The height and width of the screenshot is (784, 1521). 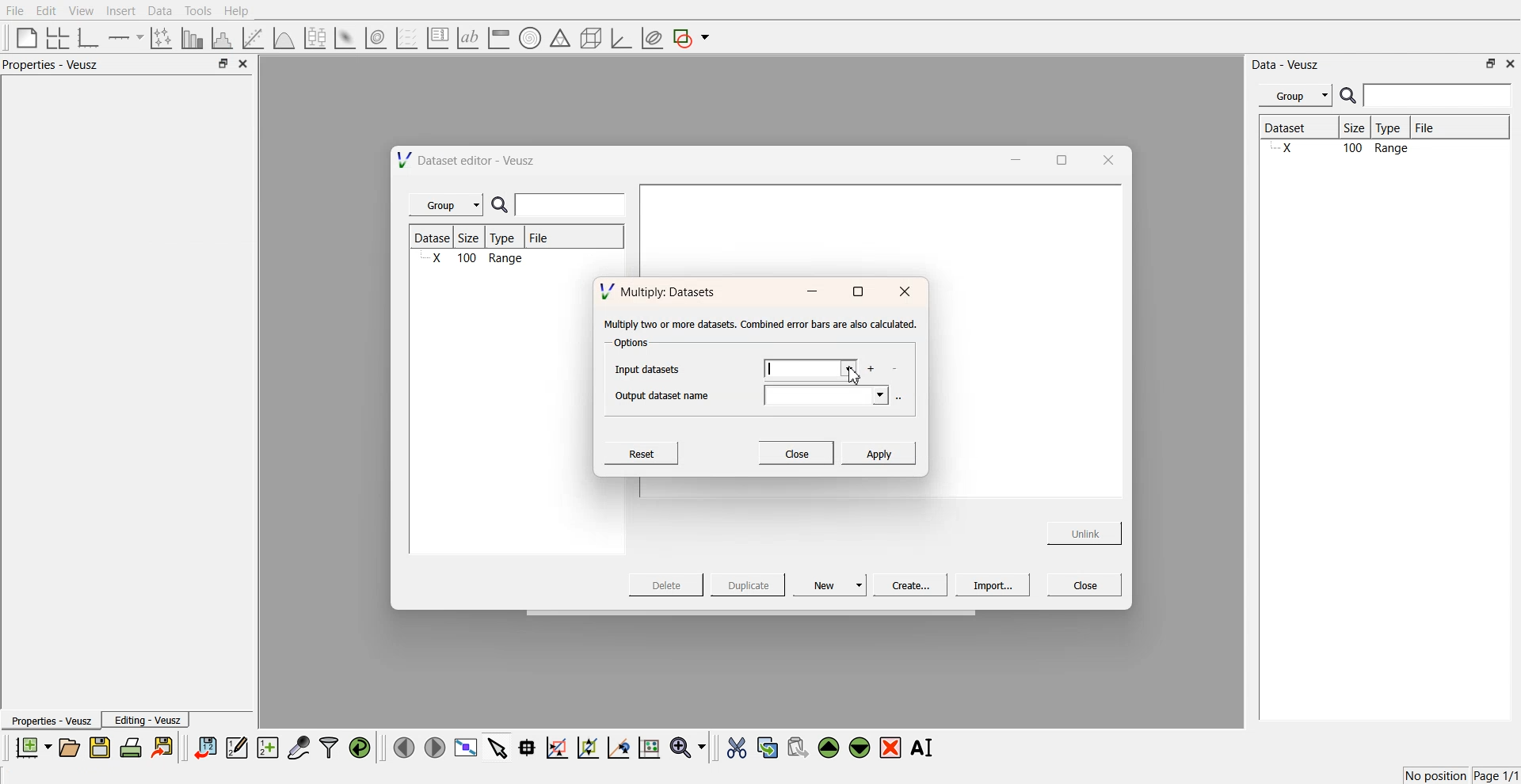 What do you see at coordinates (1497, 776) in the screenshot?
I see `Page 1/1` at bounding box center [1497, 776].